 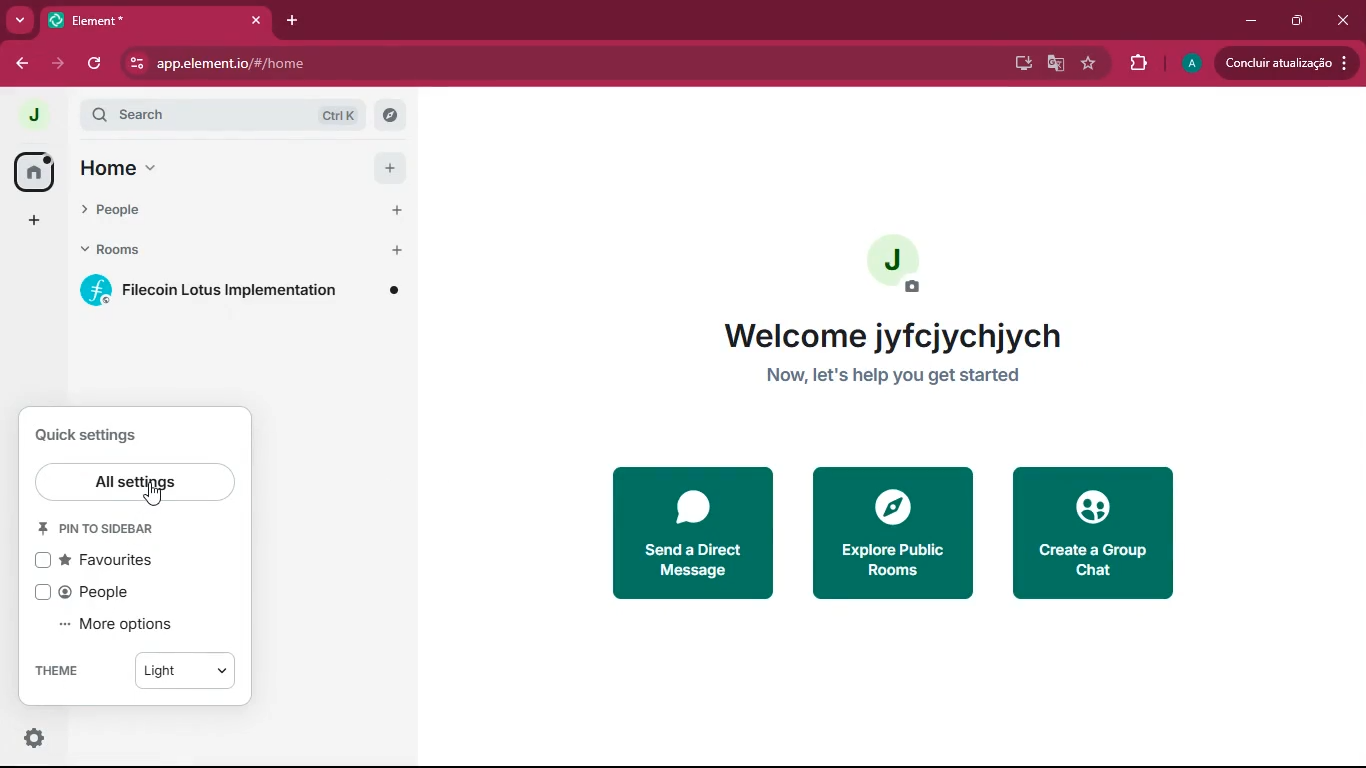 I want to click on back, so click(x=21, y=66).